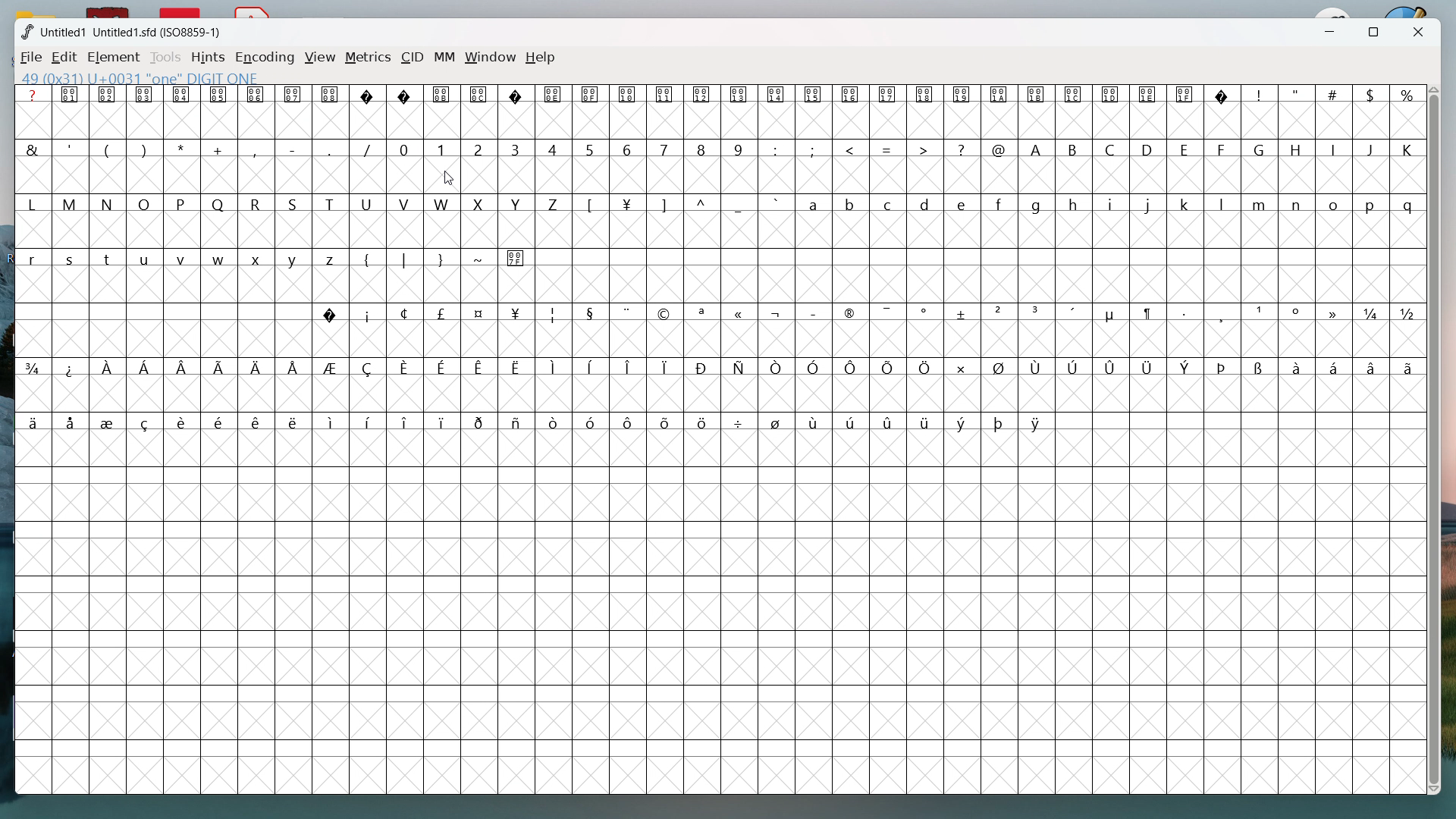  Describe the element at coordinates (666, 312) in the screenshot. I see `symbol` at that location.